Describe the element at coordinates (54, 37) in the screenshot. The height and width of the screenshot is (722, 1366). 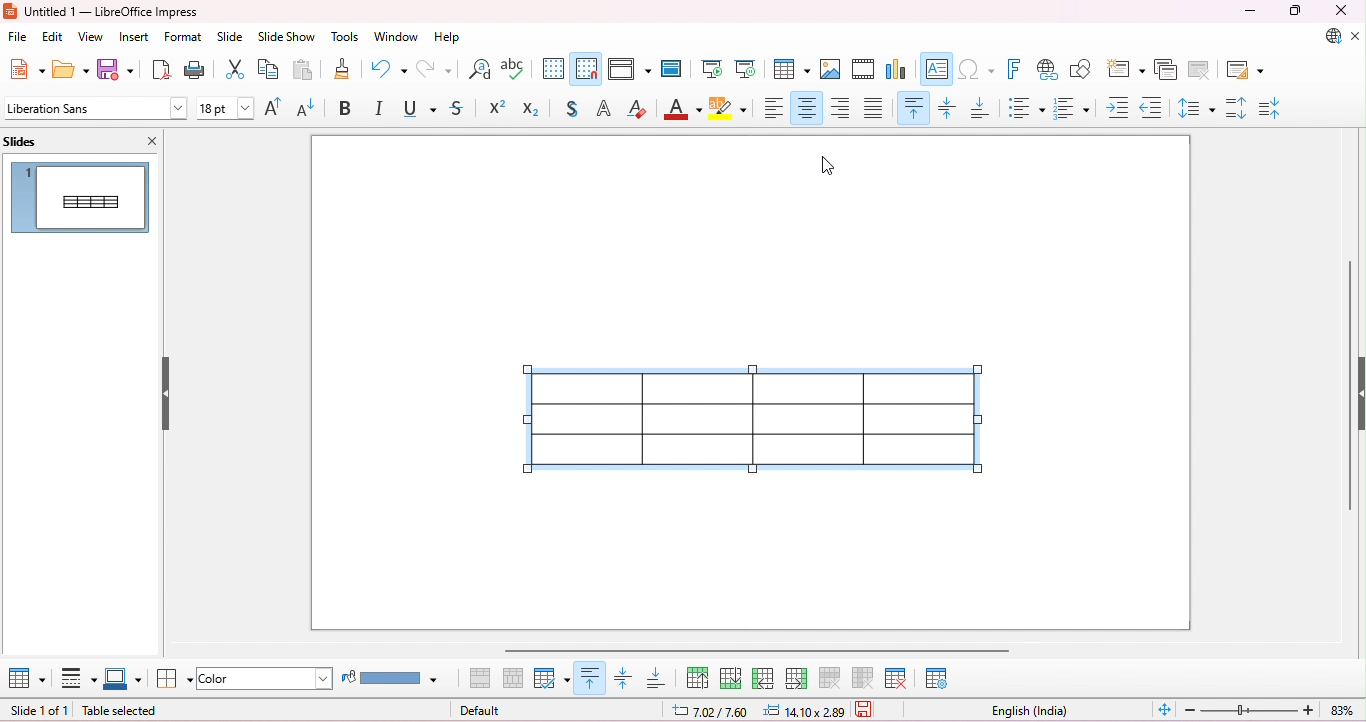
I see `edit` at that location.